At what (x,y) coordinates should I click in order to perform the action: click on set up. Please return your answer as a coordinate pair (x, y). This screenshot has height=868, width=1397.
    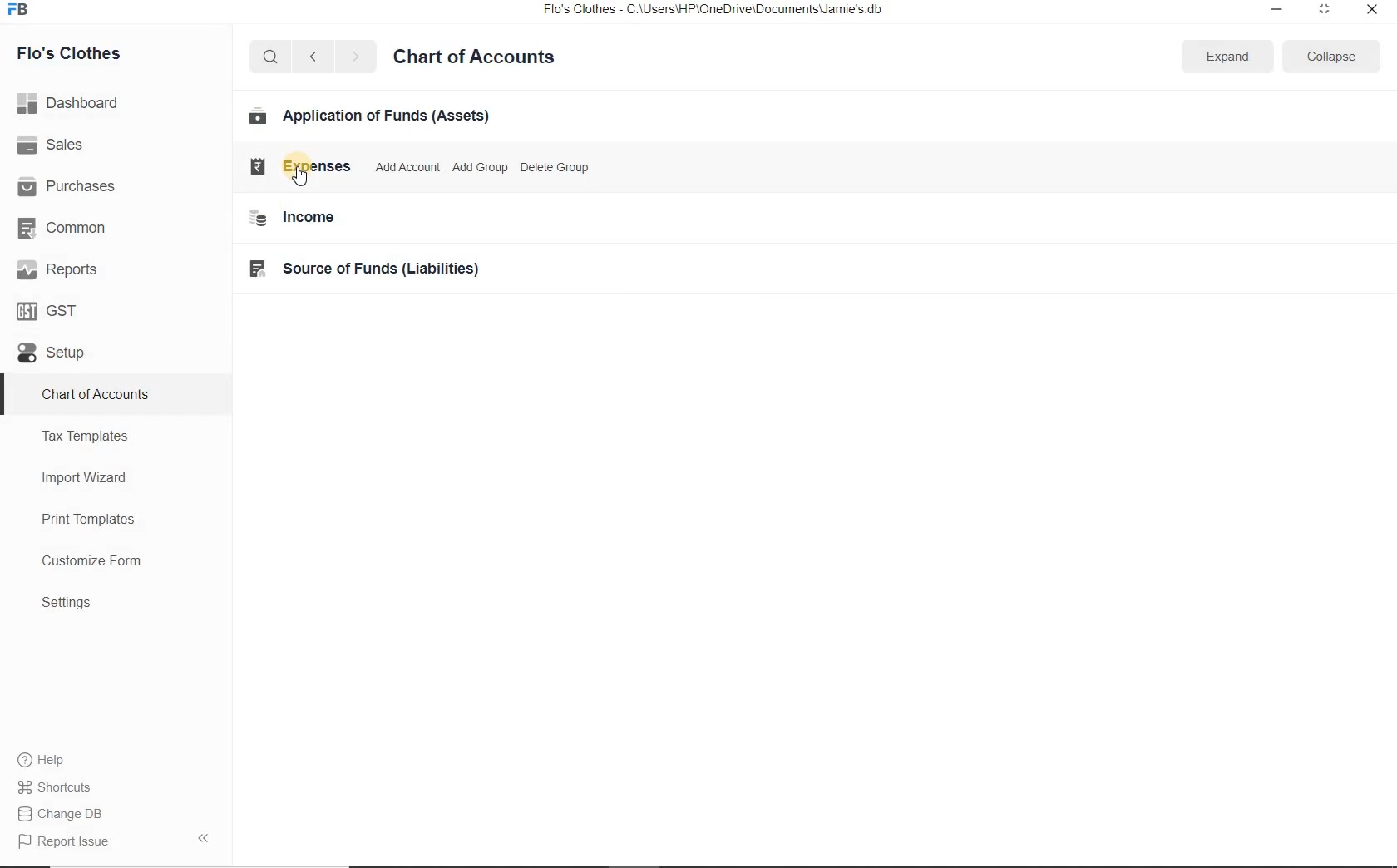
    Looking at the image, I should click on (52, 354).